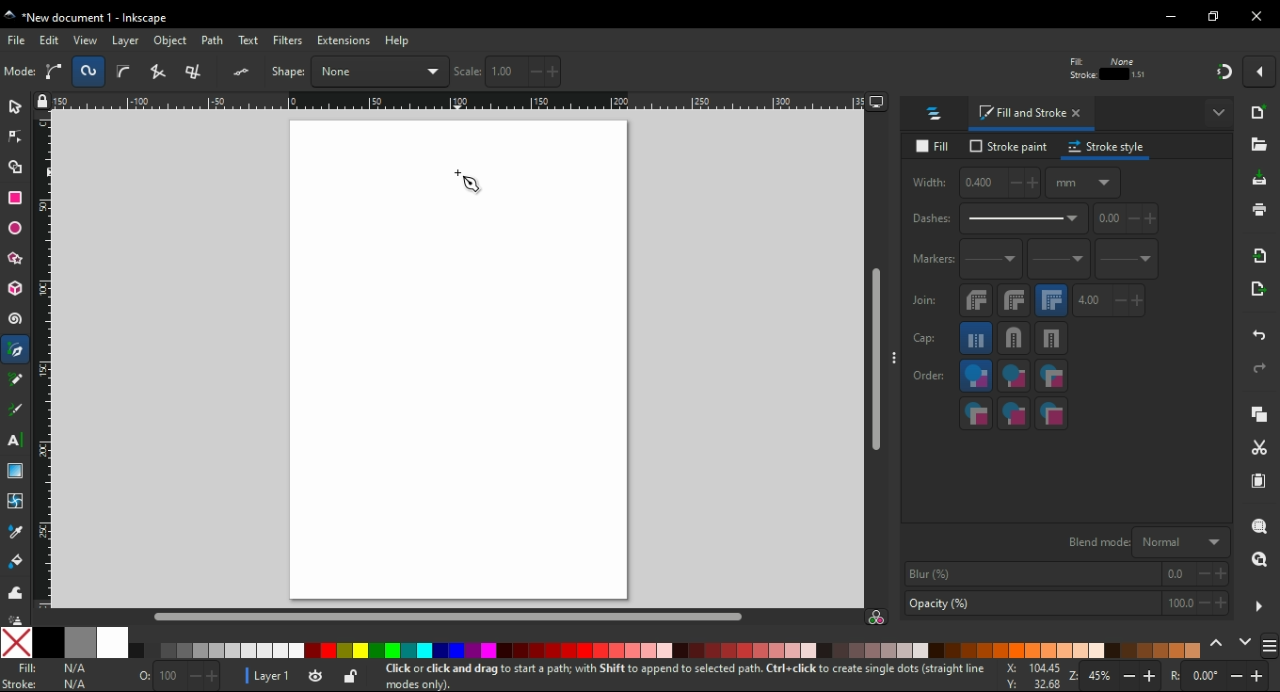  What do you see at coordinates (16, 135) in the screenshot?
I see `node tool` at bounding box center [16, 135].